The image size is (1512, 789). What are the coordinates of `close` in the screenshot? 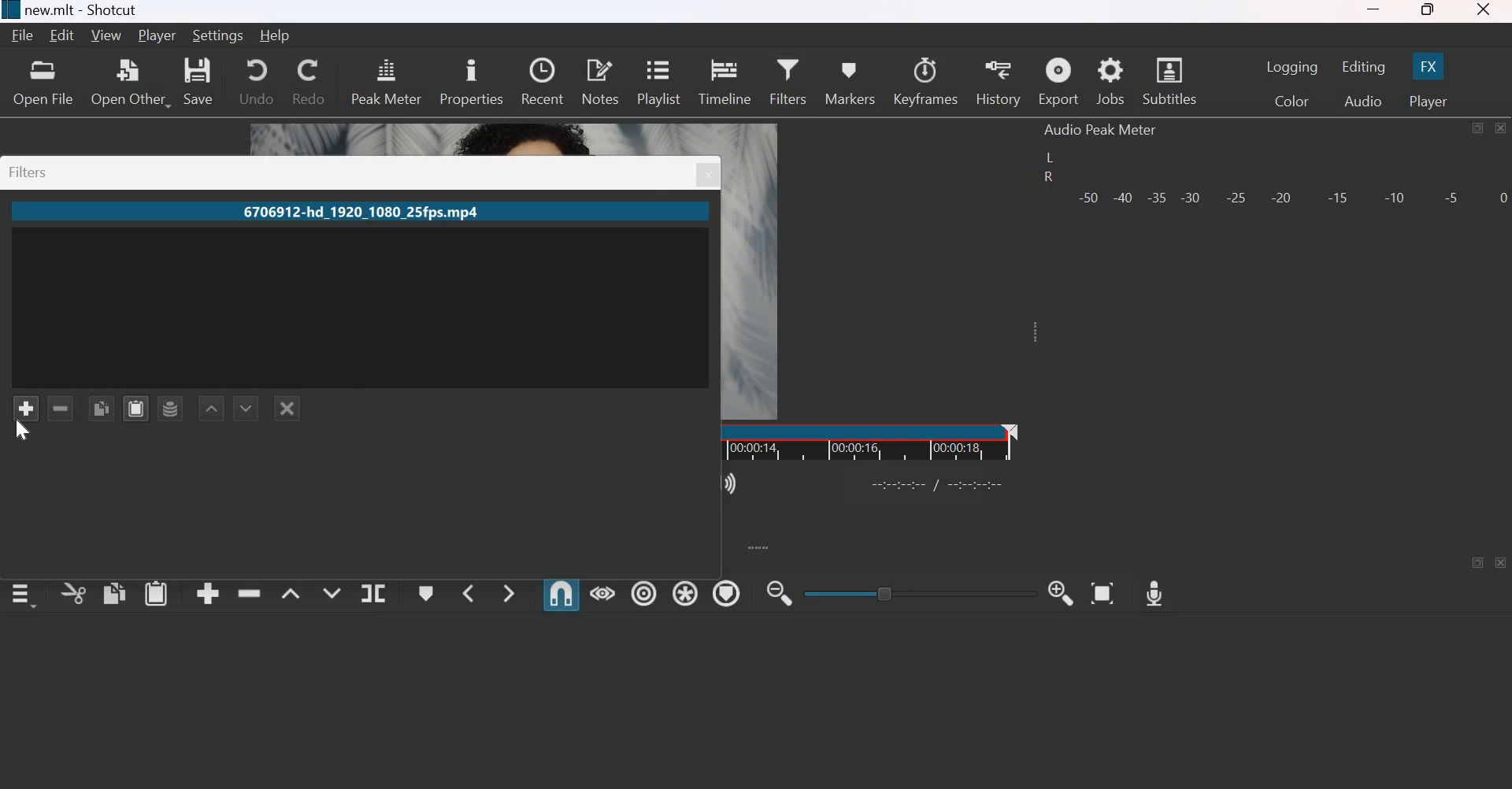 It's located at (1502, 563).